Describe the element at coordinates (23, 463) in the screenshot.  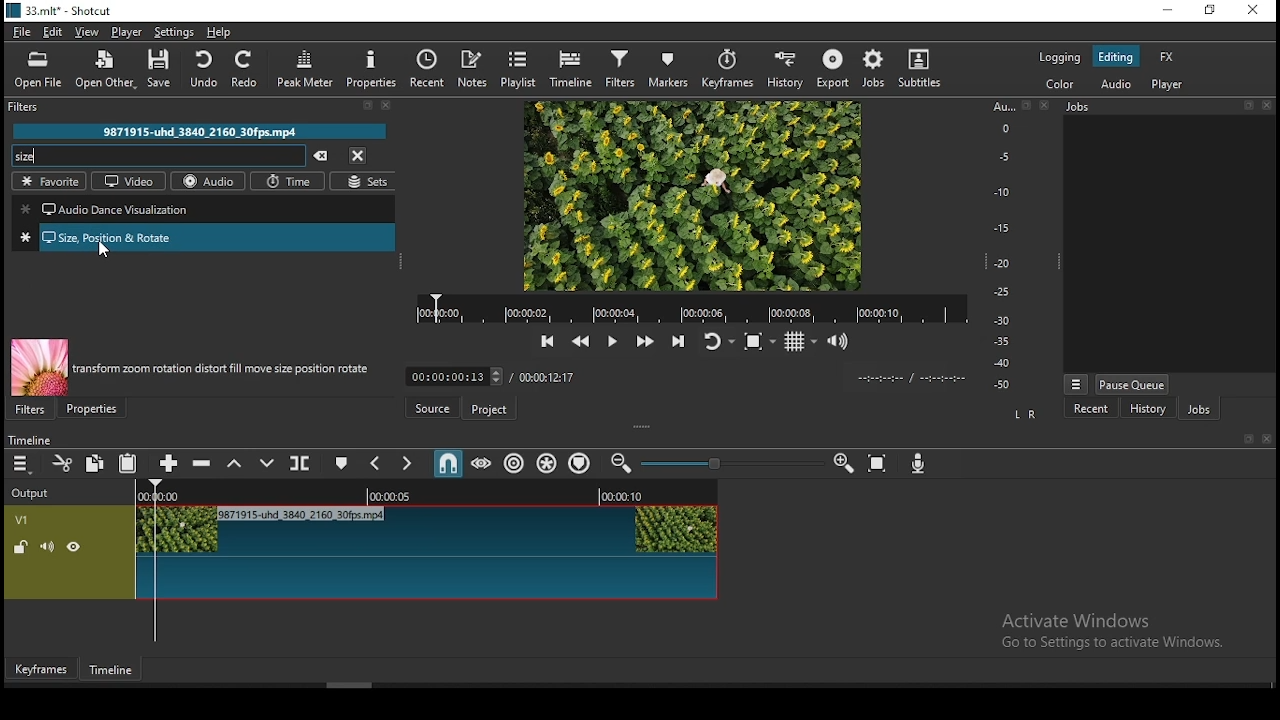
I see `timeline menu` at that location.